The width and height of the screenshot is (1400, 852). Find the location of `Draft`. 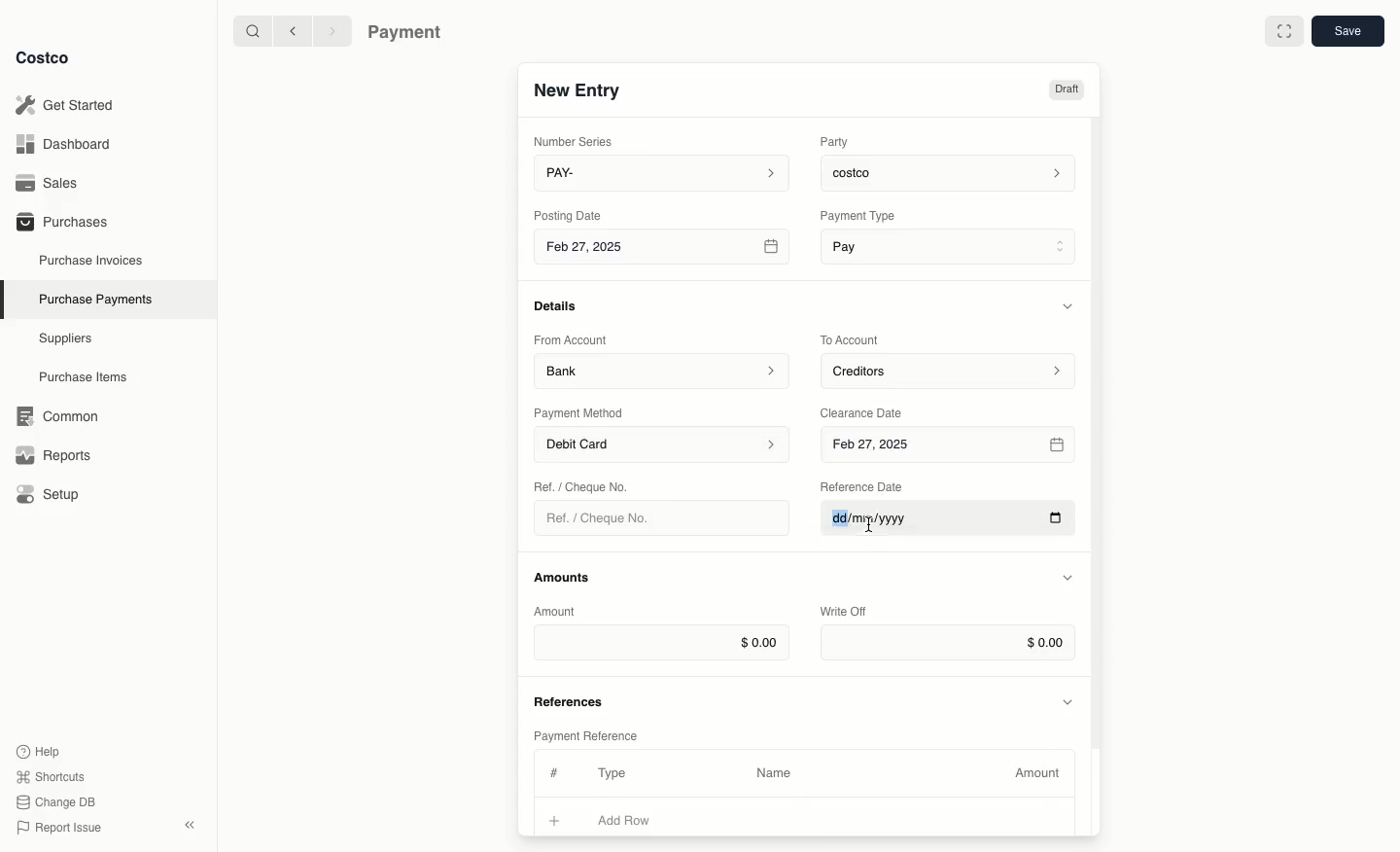

Draft is located at coordinates (1066, 89).